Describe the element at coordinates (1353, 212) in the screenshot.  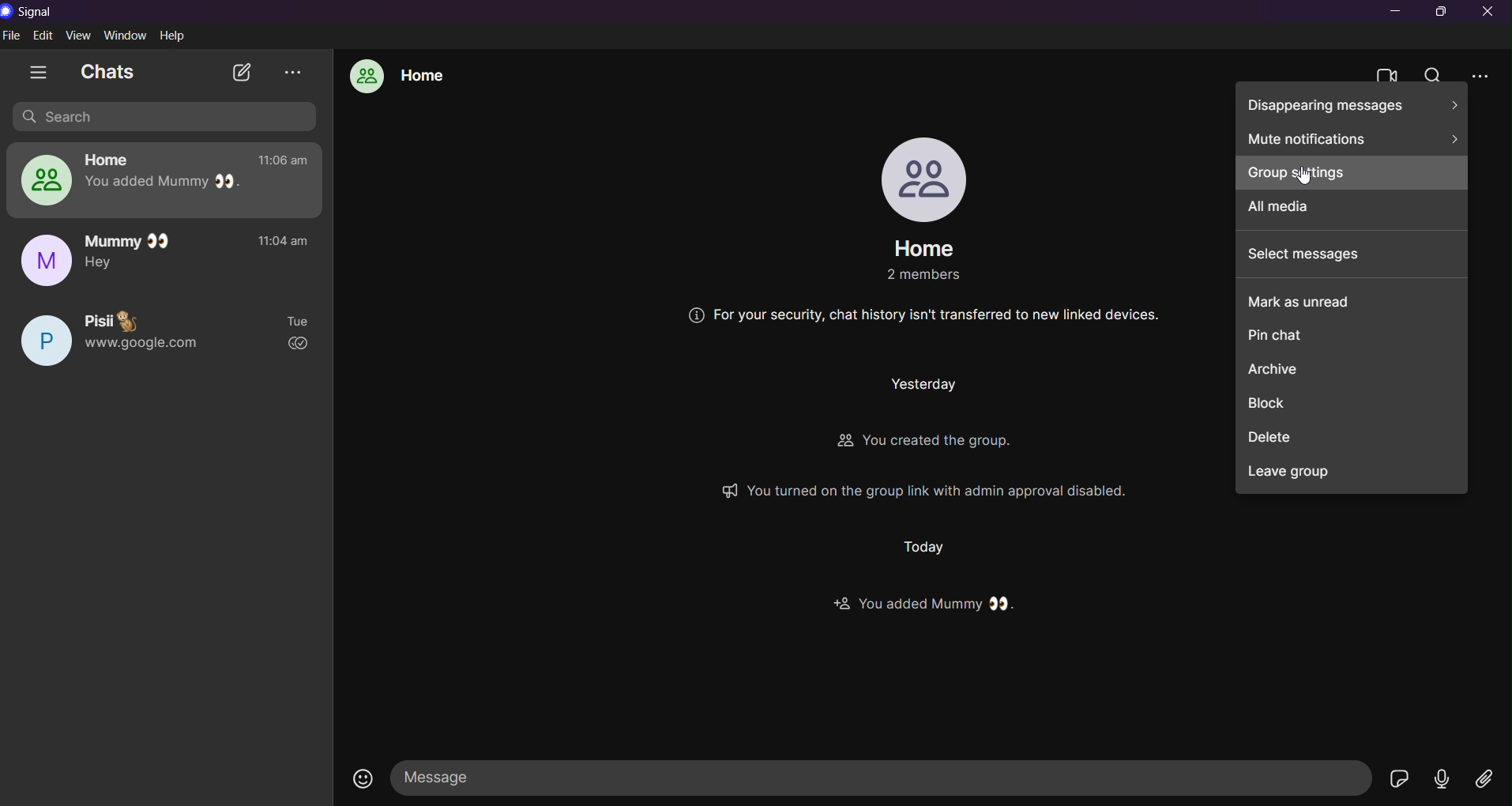
I see `all media` at that location.